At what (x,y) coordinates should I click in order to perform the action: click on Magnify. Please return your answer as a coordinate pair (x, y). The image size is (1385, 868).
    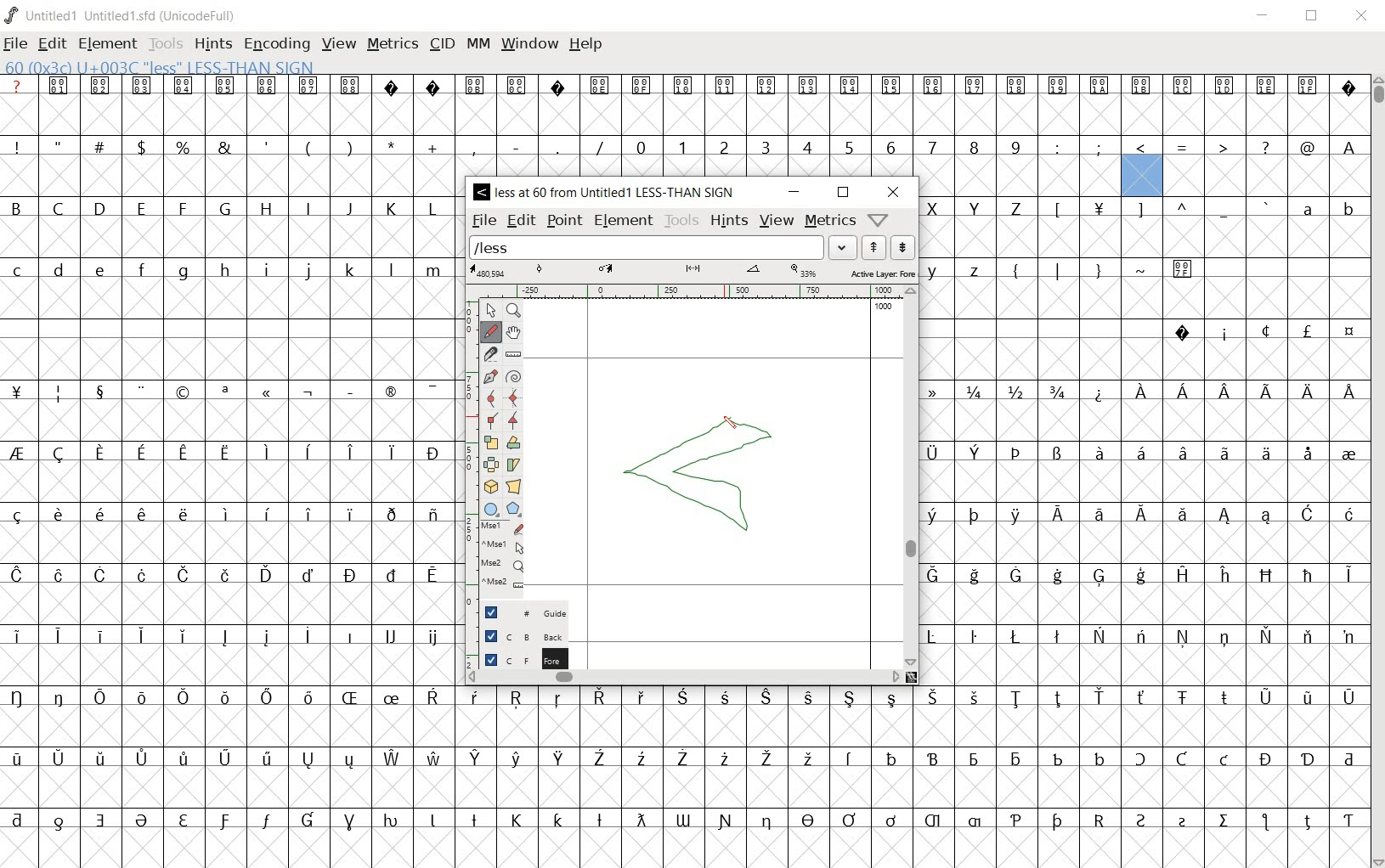
    Looking at the image, I should click on (515, 311).